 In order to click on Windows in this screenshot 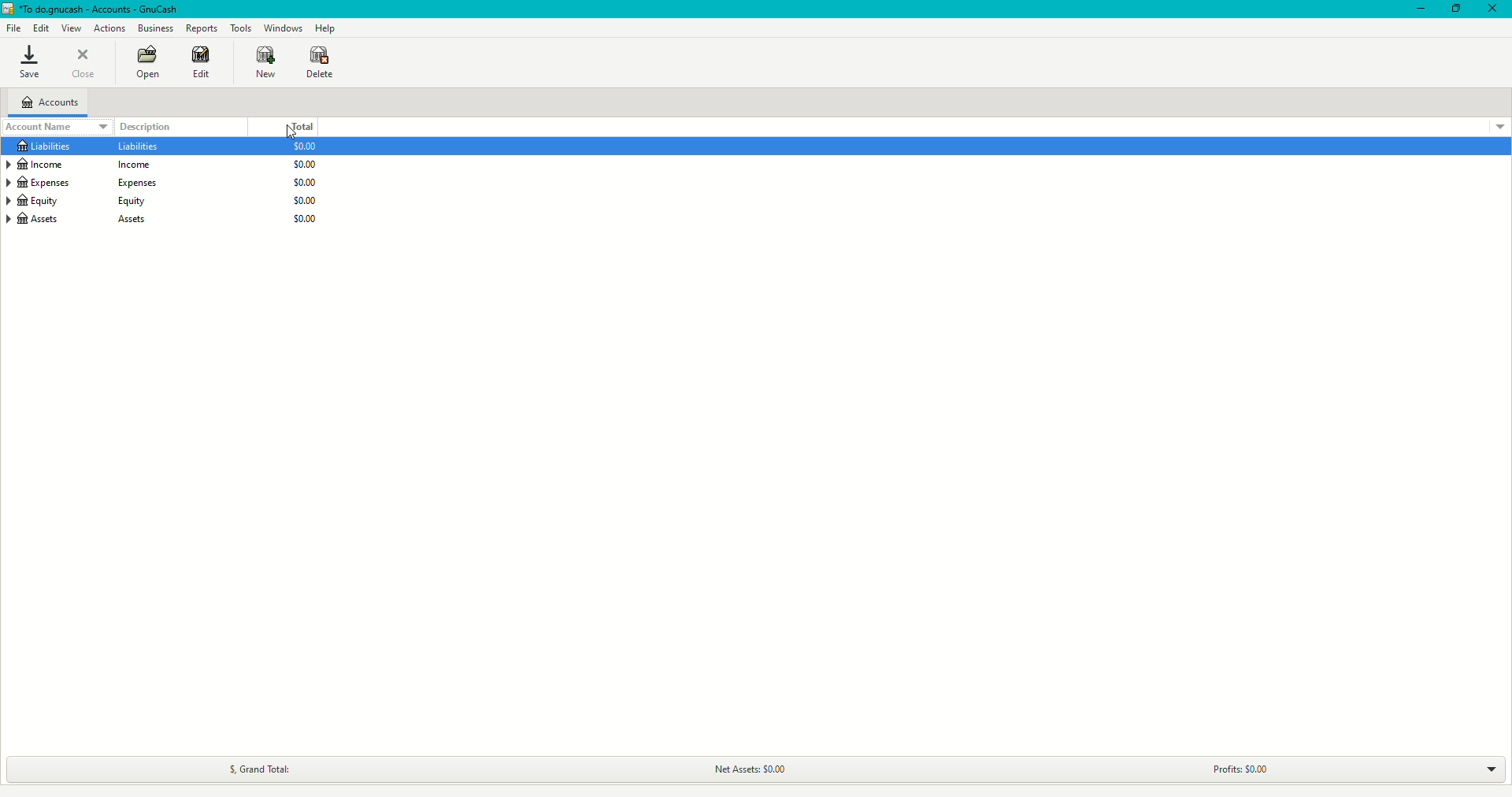, I will do `click(286, 26)`.